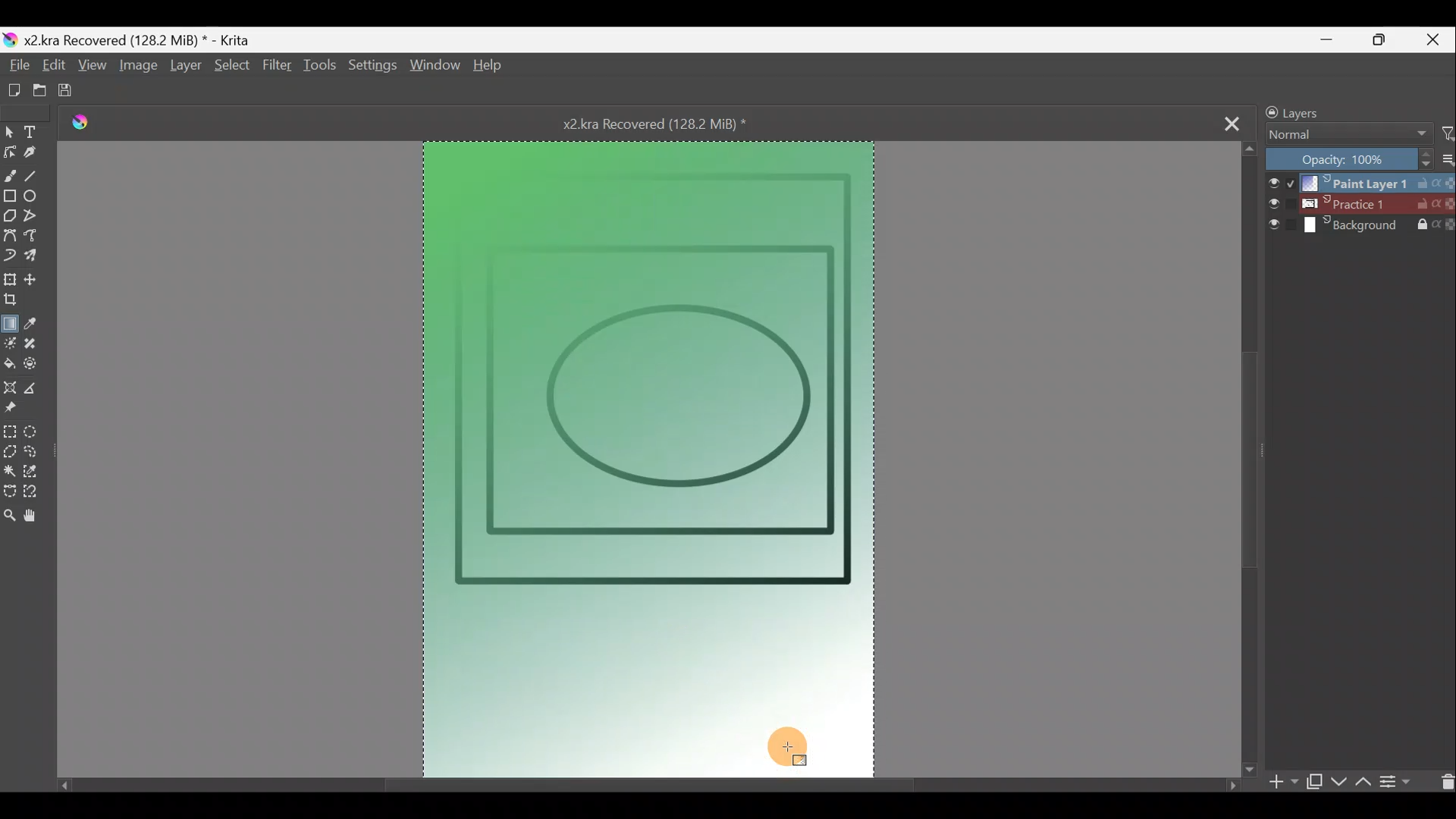 This screenshot has width=1456, height=819. I want to click on Document name, so click(132, 39).